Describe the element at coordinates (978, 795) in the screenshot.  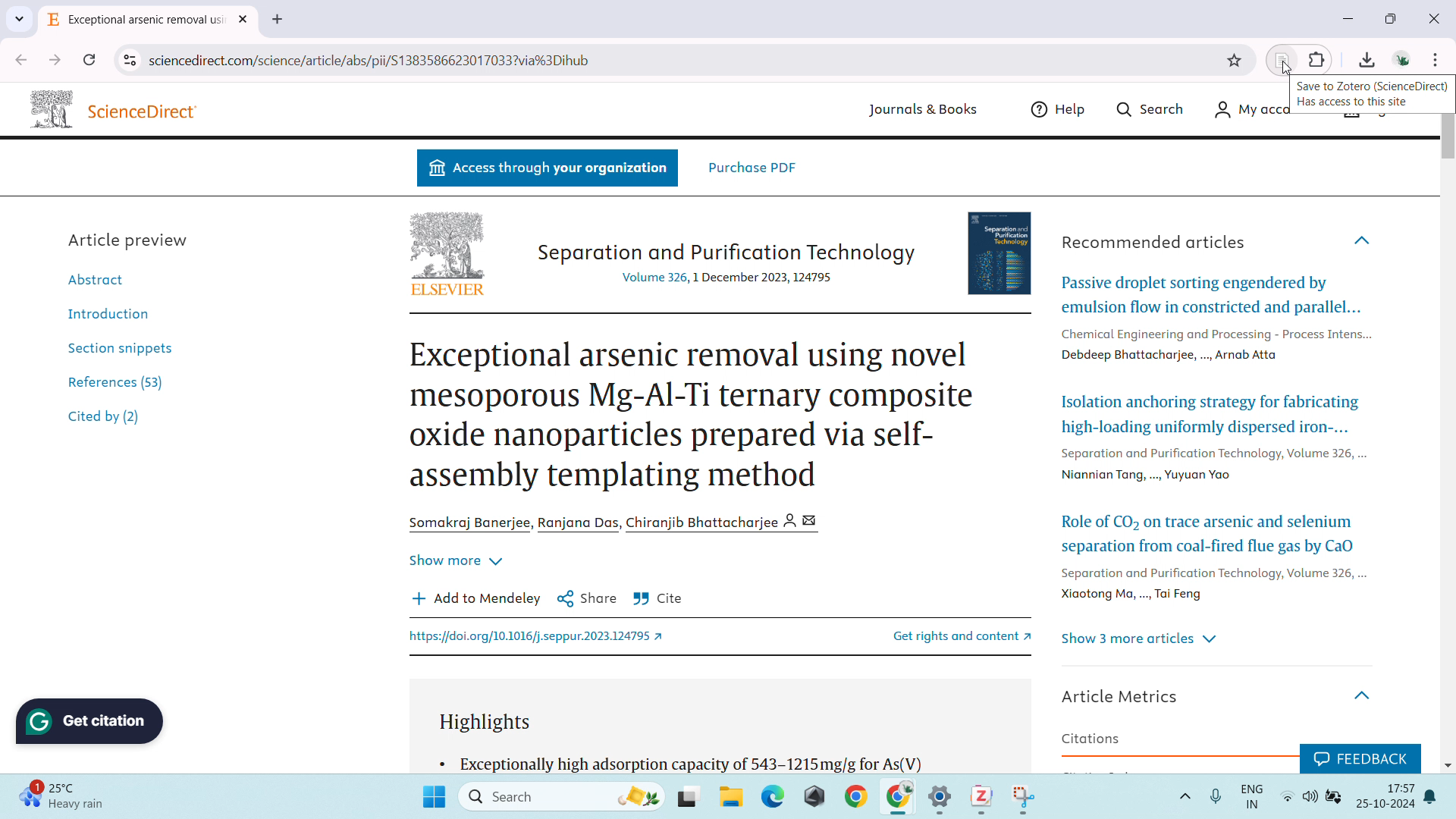
I see `zotero app` at that location.